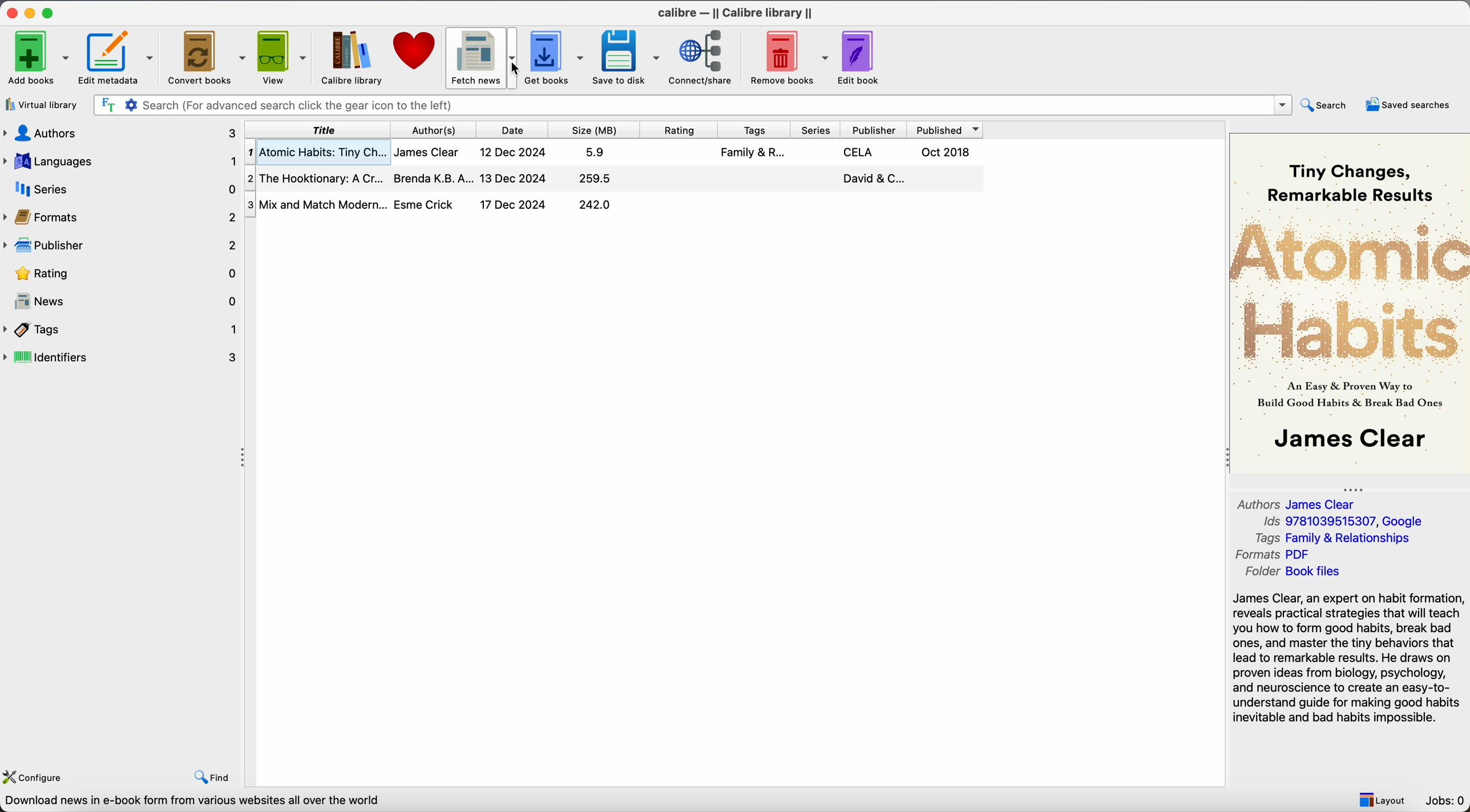 The height and width of the screenshot is (812, 1470). What do you see at coordinates (1411, 104) in the screenshot?
I see `saved searches` at bounding box center [1411, 104].